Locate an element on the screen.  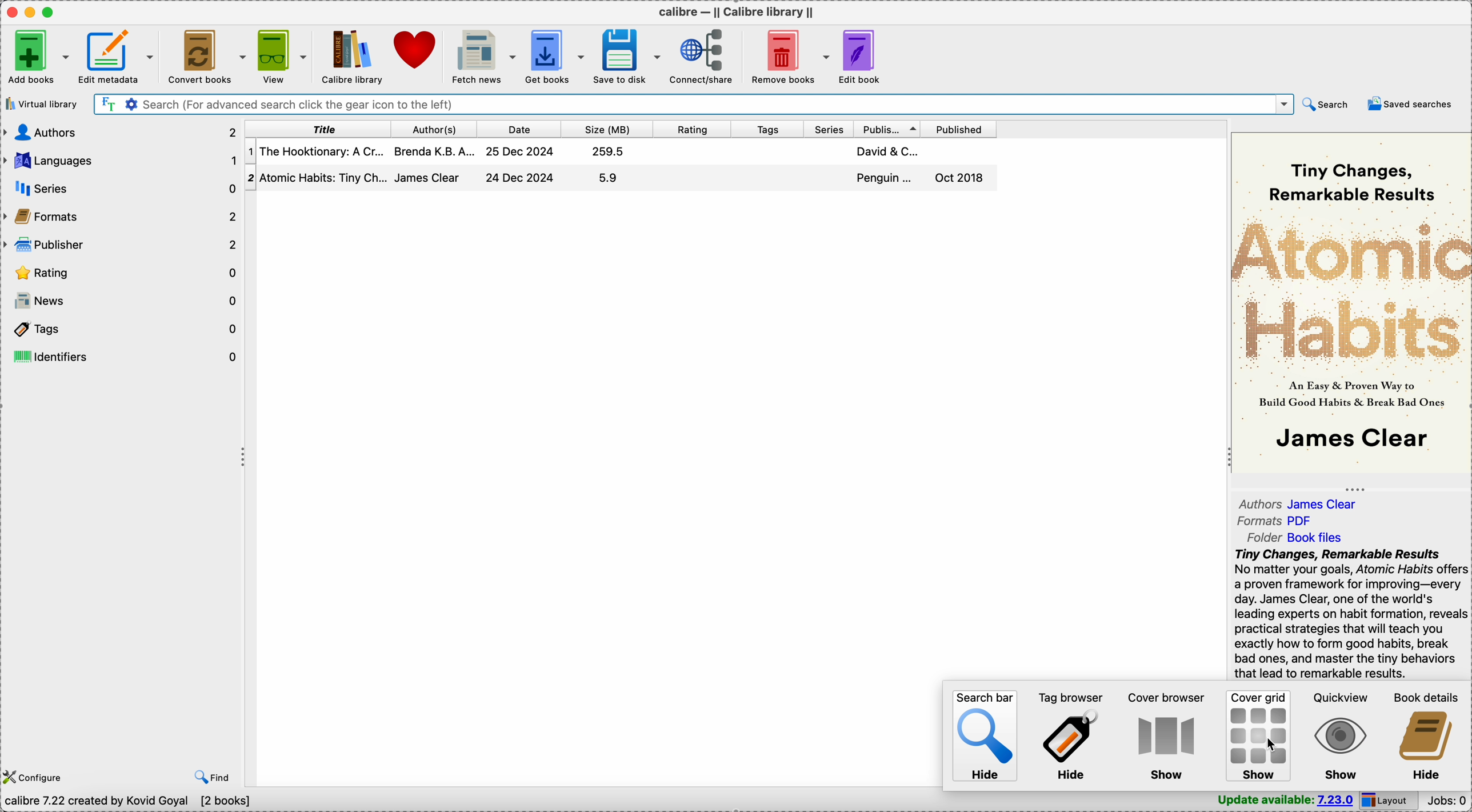
remove books is located at coordinates (789, 54).